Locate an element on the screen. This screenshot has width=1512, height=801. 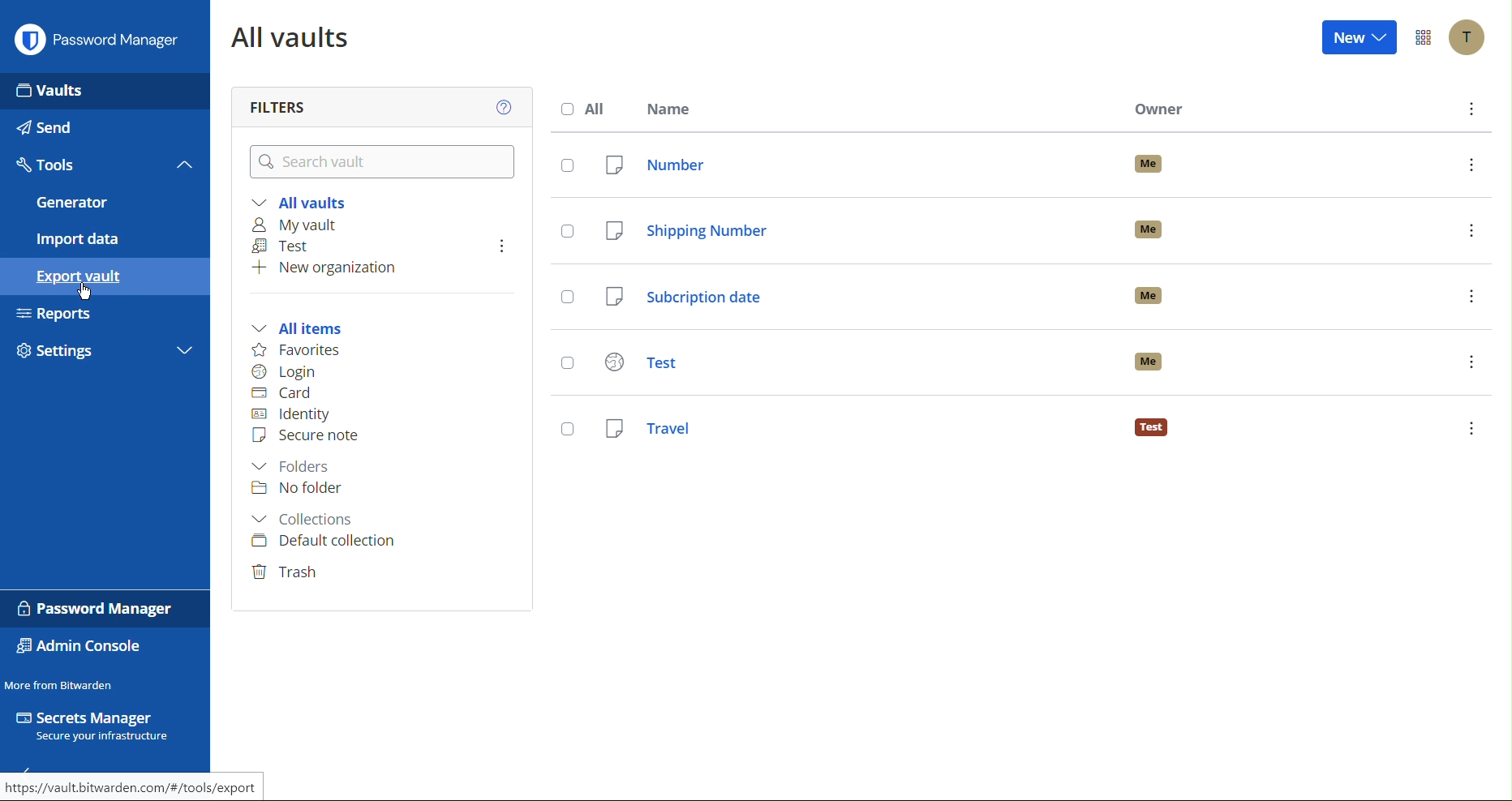
Favorites is located at coordinates (295, 348).